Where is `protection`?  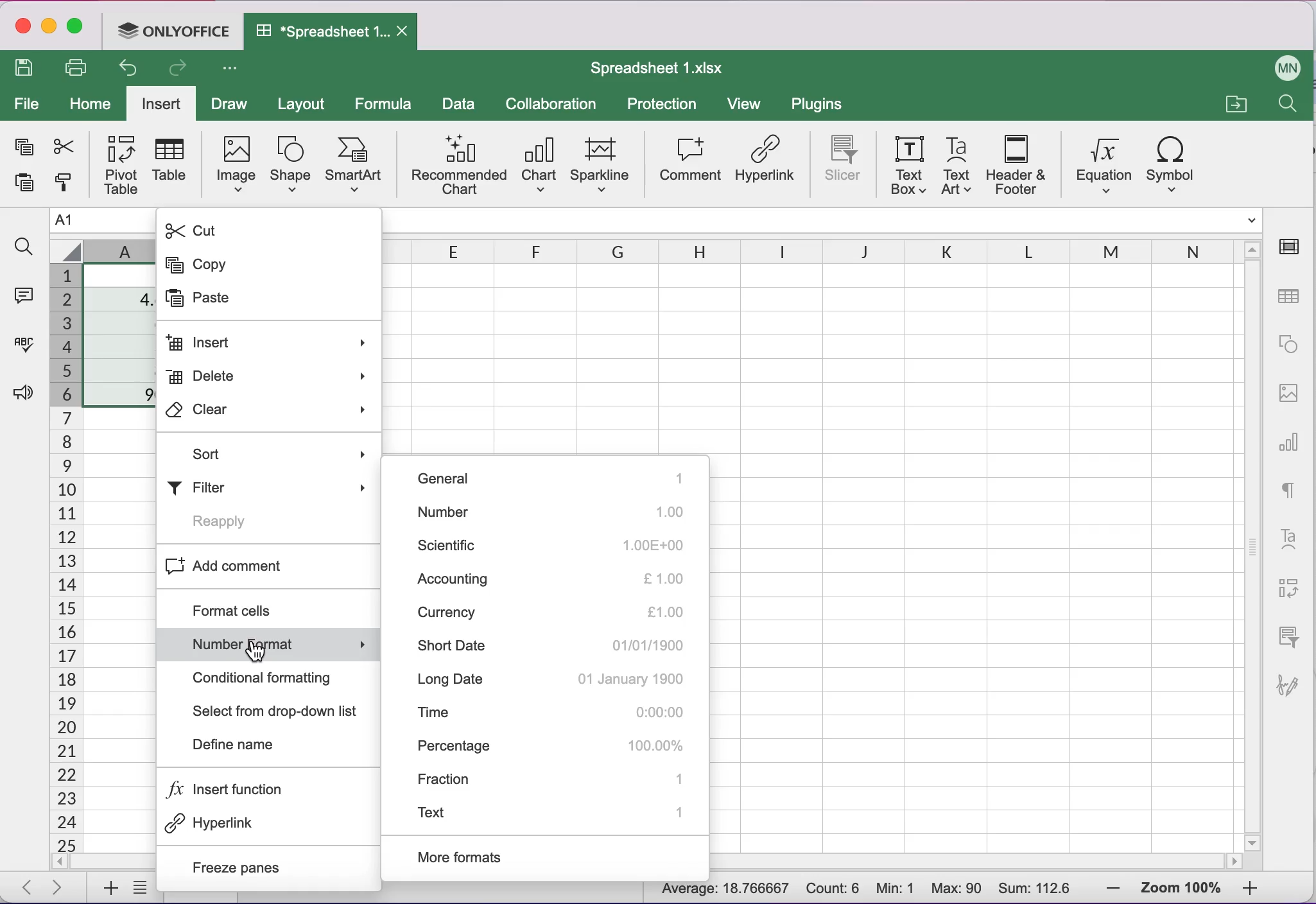 protection is located at coordinates (661, 105).